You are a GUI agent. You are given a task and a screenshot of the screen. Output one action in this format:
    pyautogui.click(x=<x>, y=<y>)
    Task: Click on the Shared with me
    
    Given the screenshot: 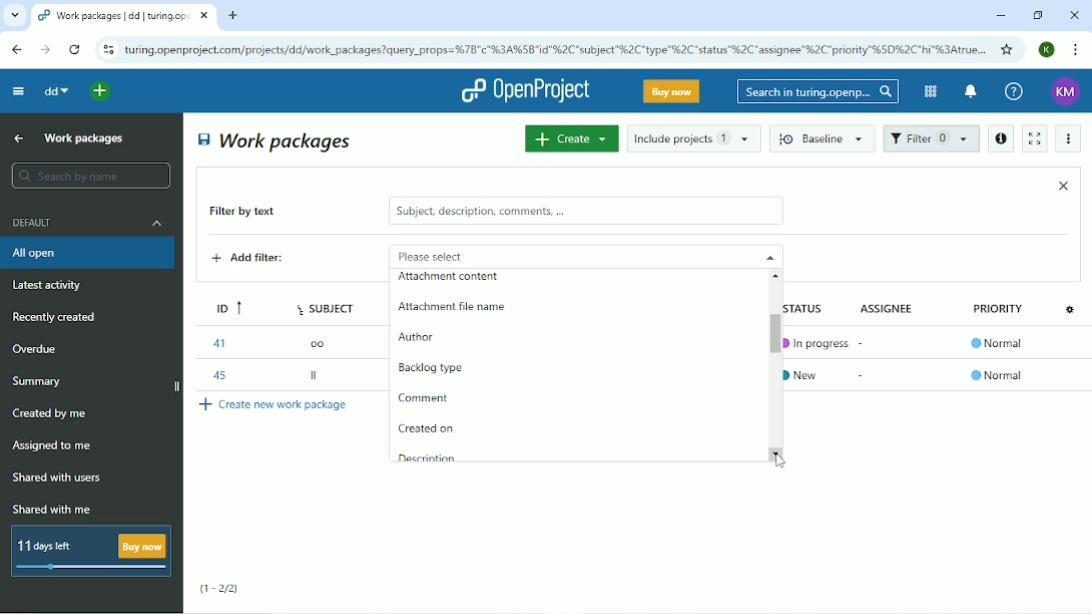 What is the action you would take?
    pyautogui.click(x=54, y=509)
    